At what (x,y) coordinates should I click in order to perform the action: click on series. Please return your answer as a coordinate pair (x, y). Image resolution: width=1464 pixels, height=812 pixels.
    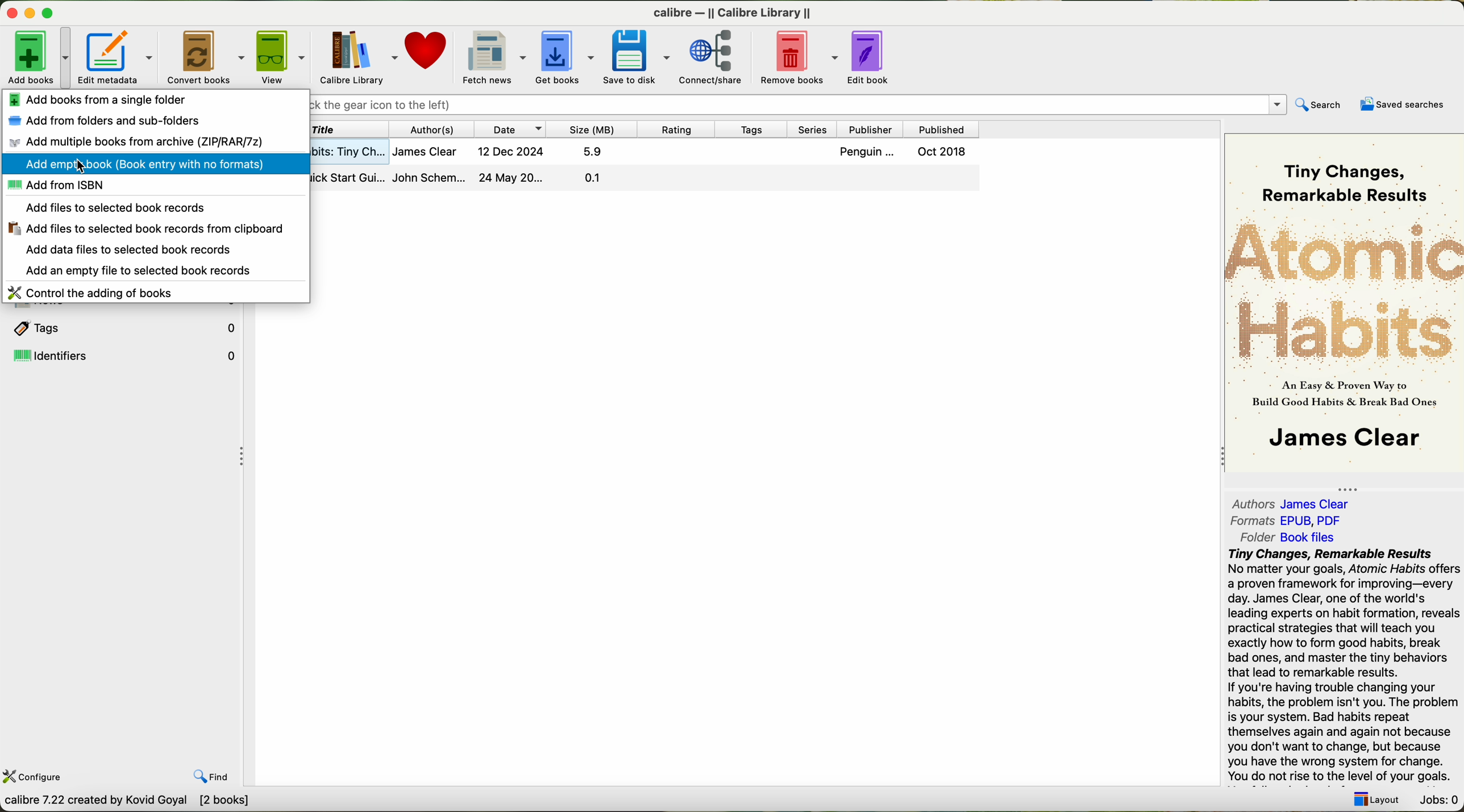
    Looking at the image, I should click on (813, 128).